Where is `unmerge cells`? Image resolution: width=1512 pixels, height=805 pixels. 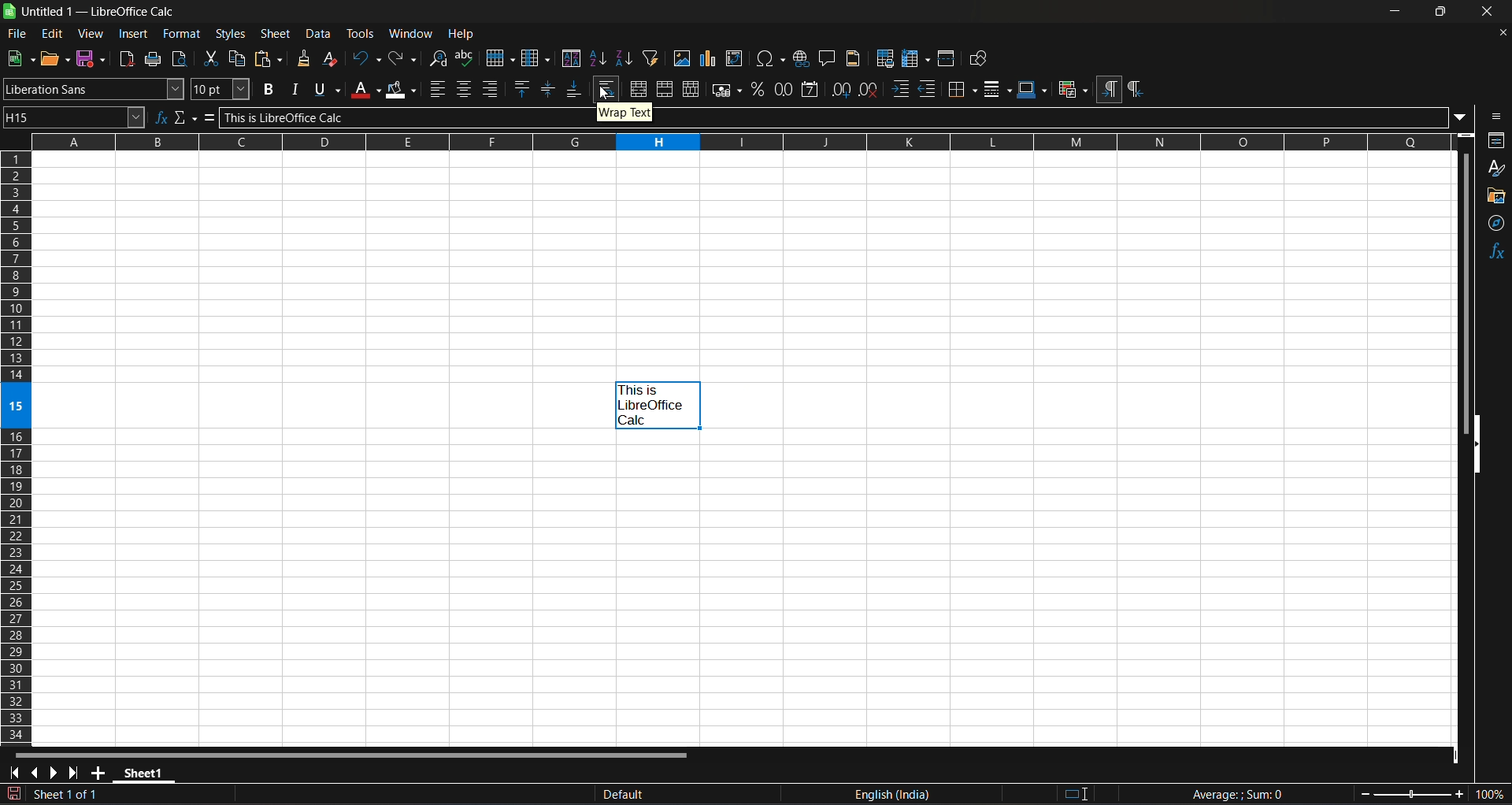
unmerge cells is located at coordinates (691, 89).